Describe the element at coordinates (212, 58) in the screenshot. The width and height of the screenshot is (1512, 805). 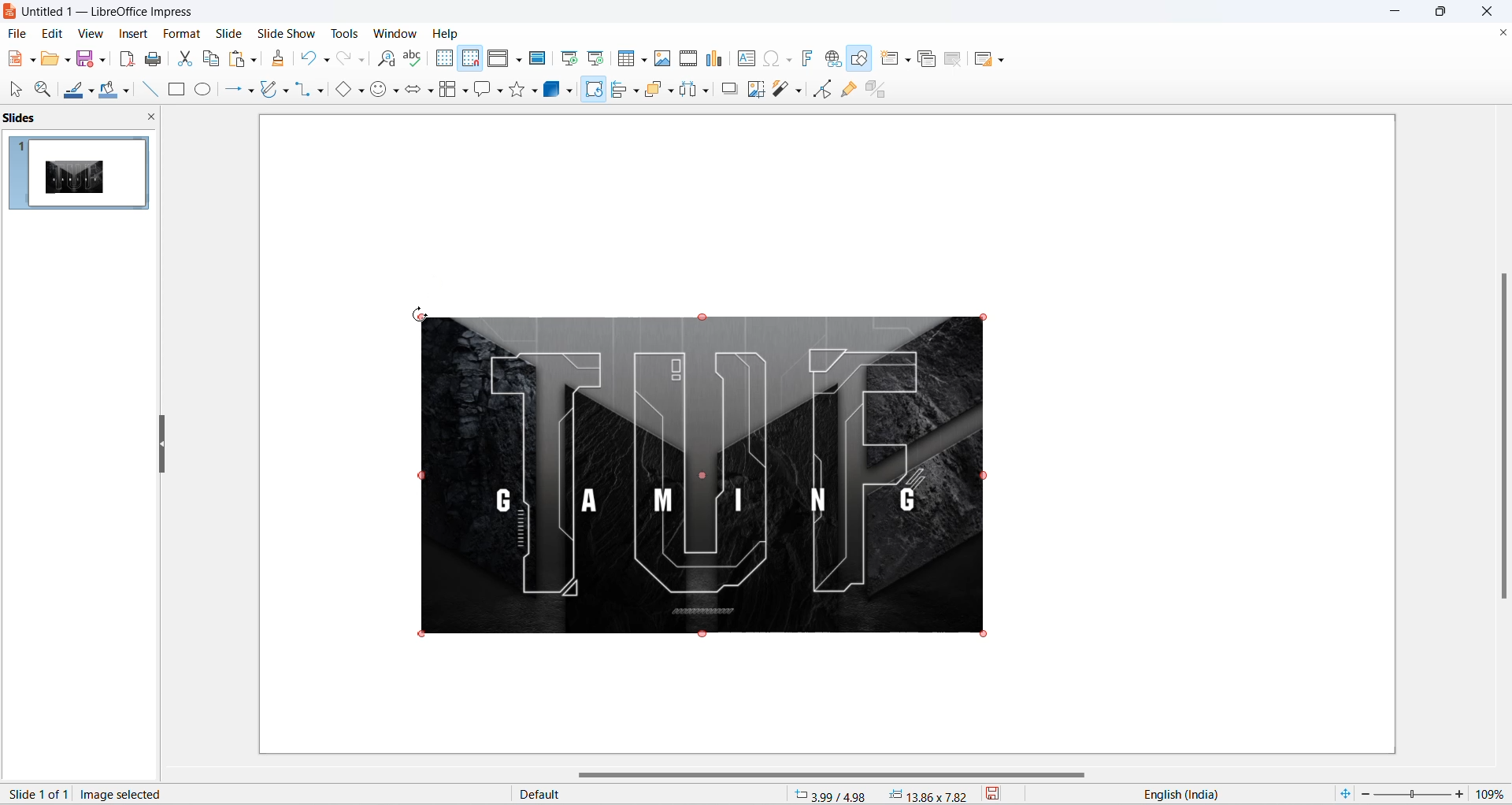
I see `copy` at that location.